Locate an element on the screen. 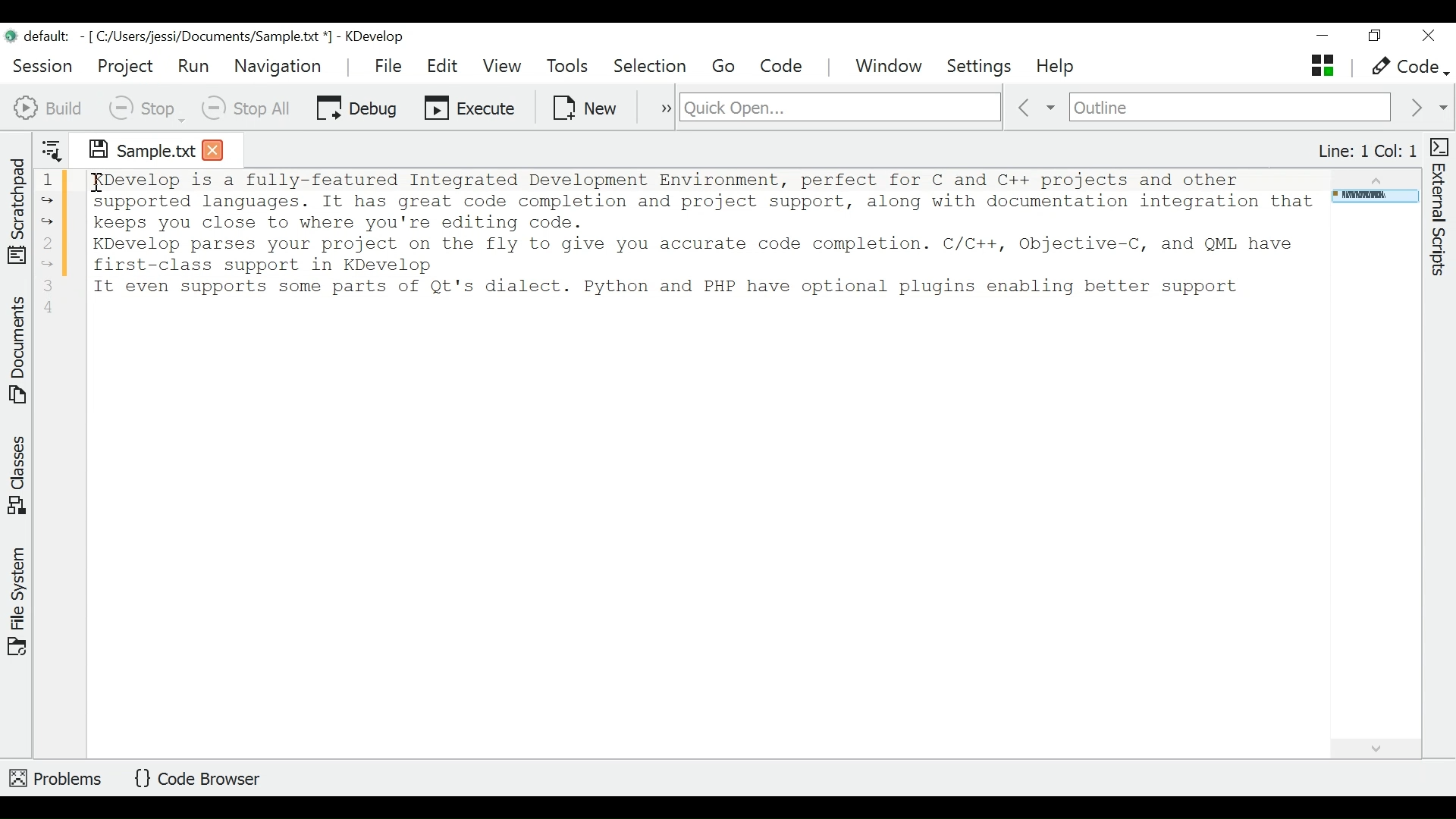 The image size is (1456, 819). Code is located at coordinates (1407, 67).